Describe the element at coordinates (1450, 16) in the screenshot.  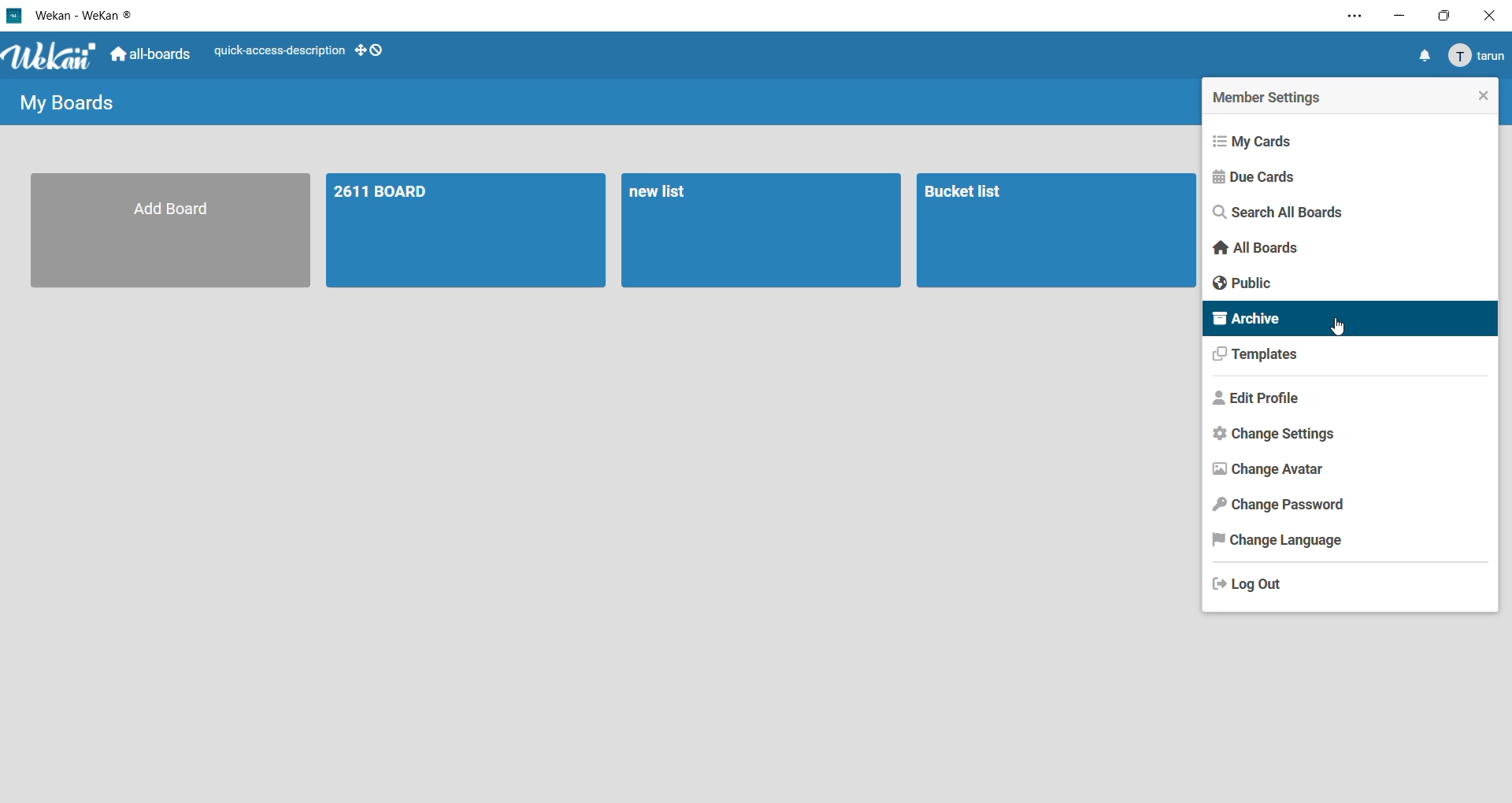
I see `maximize` at that location.